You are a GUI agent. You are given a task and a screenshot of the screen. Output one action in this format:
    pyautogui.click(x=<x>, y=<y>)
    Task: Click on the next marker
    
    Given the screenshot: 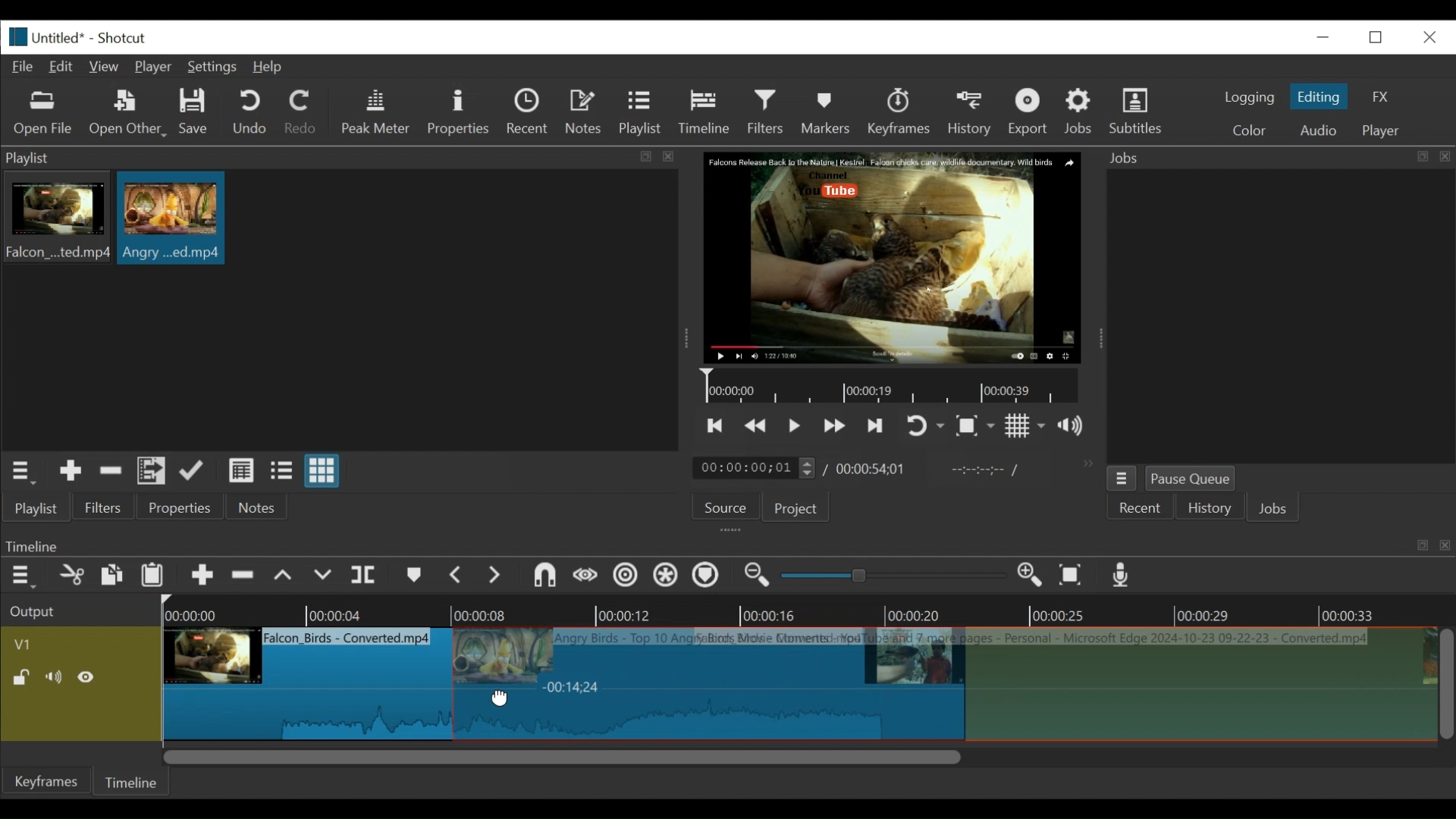 What is the action you would take?
    pyautogui.click(x=497, y=576)
    